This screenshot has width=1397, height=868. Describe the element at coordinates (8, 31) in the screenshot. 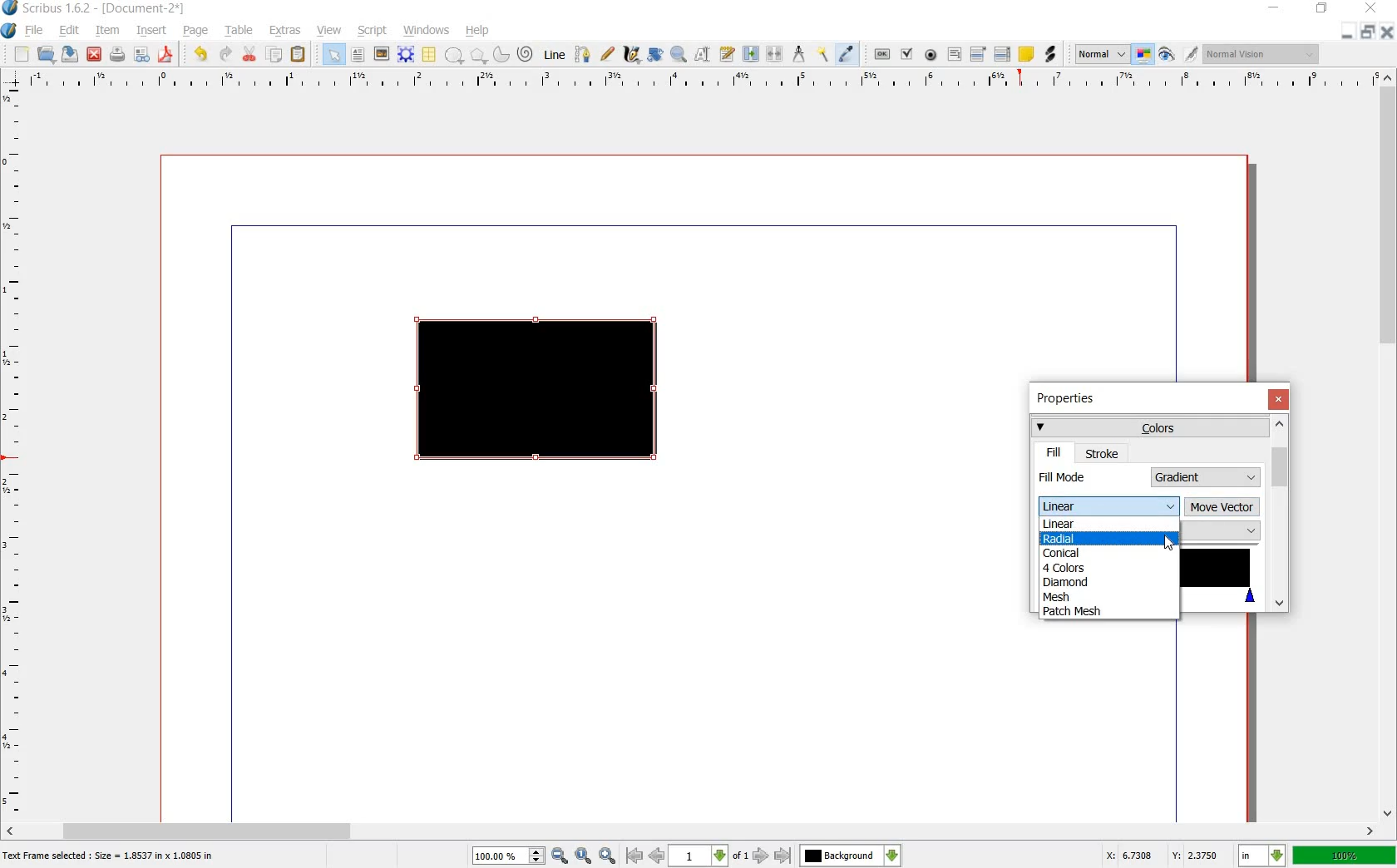

I see `system logo` at that location.